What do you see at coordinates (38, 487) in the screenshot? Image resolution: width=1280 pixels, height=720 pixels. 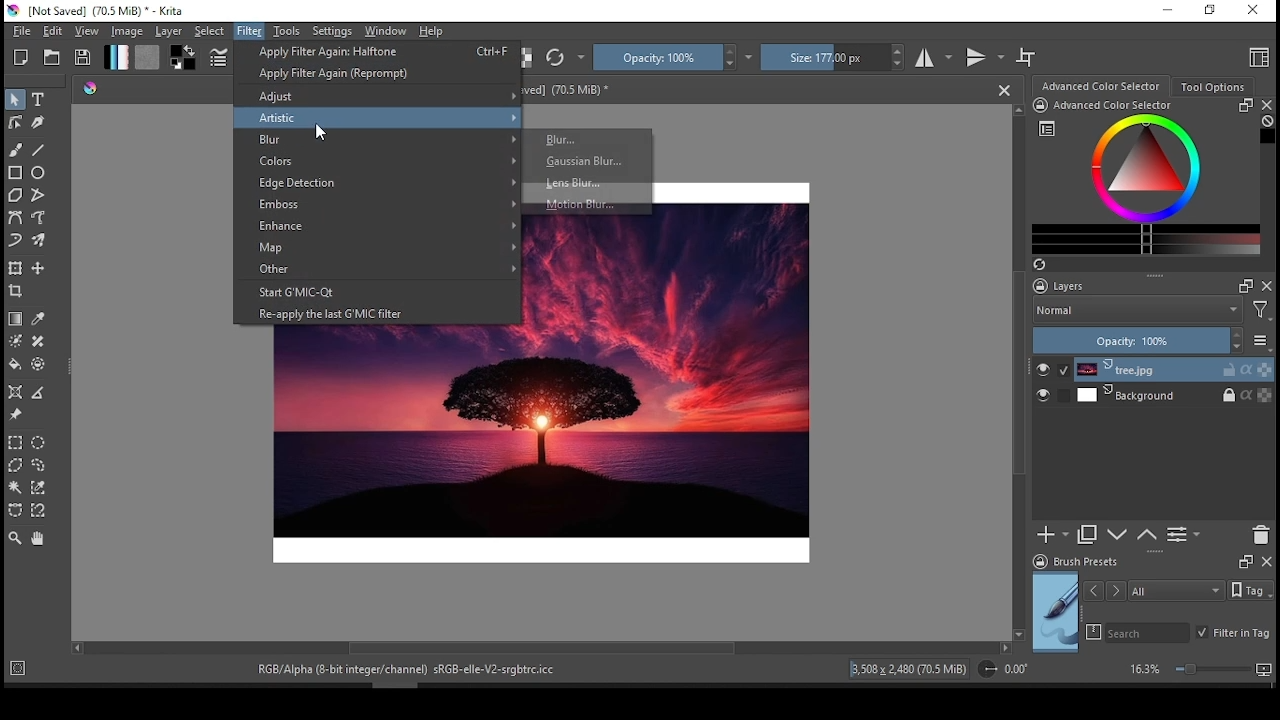 I see `similar color selection tool` at bounding box center [38, 487].